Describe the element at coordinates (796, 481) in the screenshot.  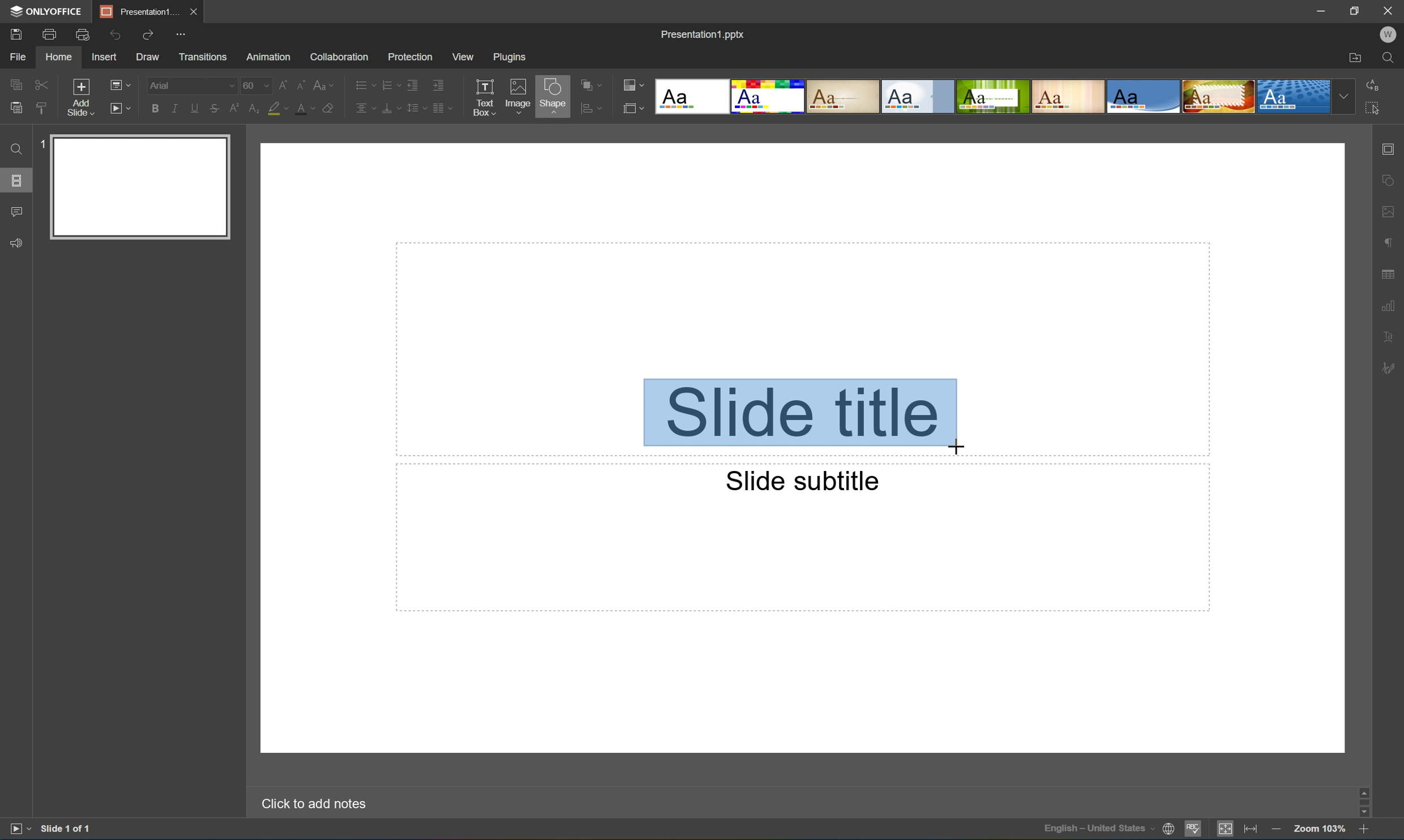
I see `slide subtitle` at that location.